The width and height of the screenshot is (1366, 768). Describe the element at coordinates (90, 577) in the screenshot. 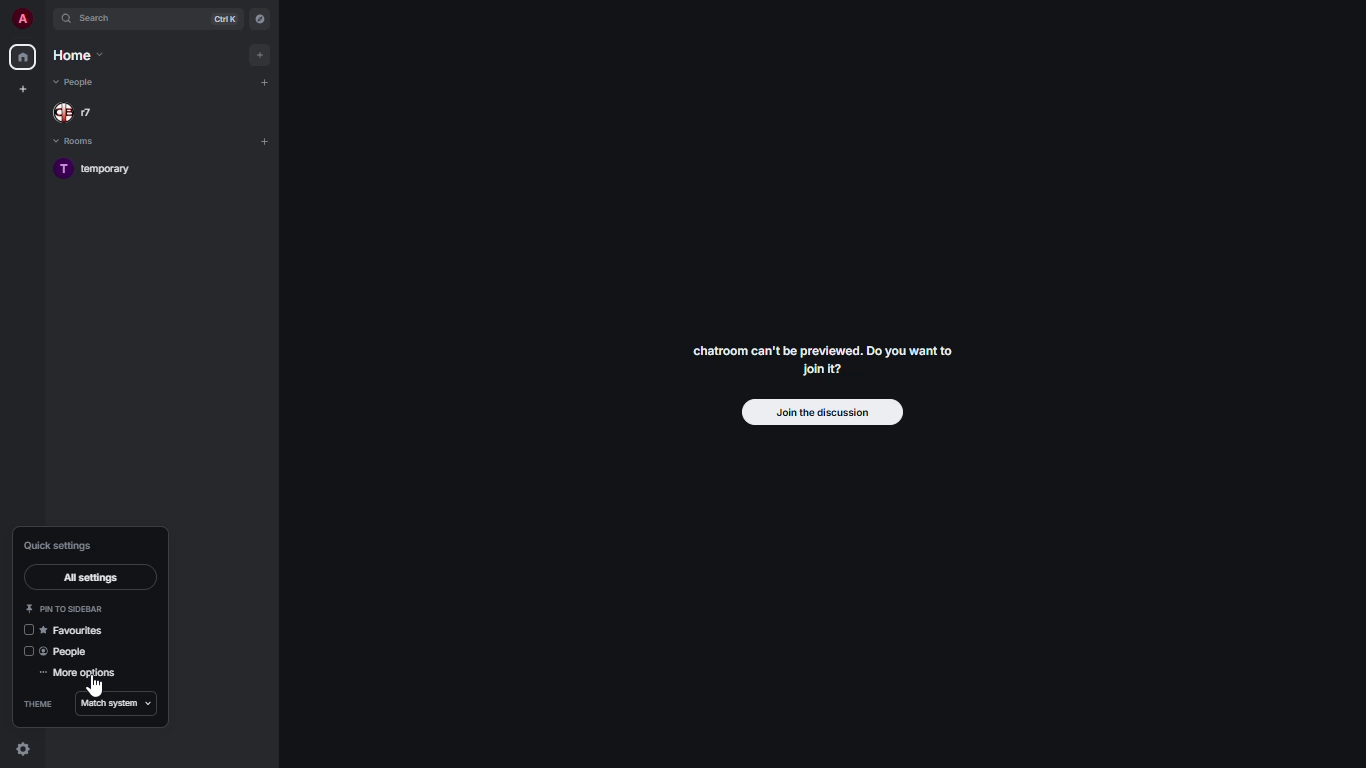

I see `all settings` at that location.